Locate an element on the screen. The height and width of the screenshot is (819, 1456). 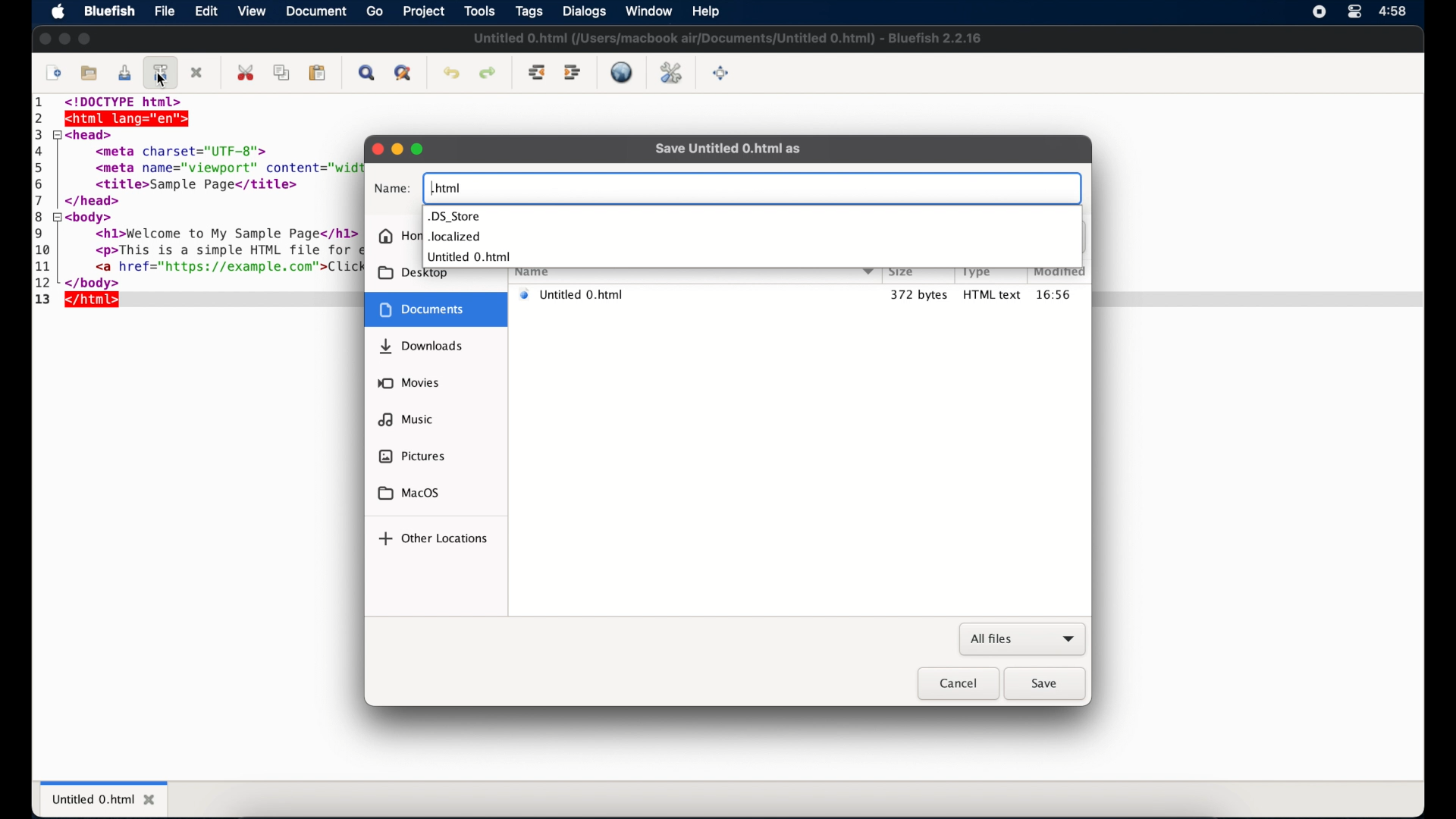
maximize is located at coordinates (419, 149).